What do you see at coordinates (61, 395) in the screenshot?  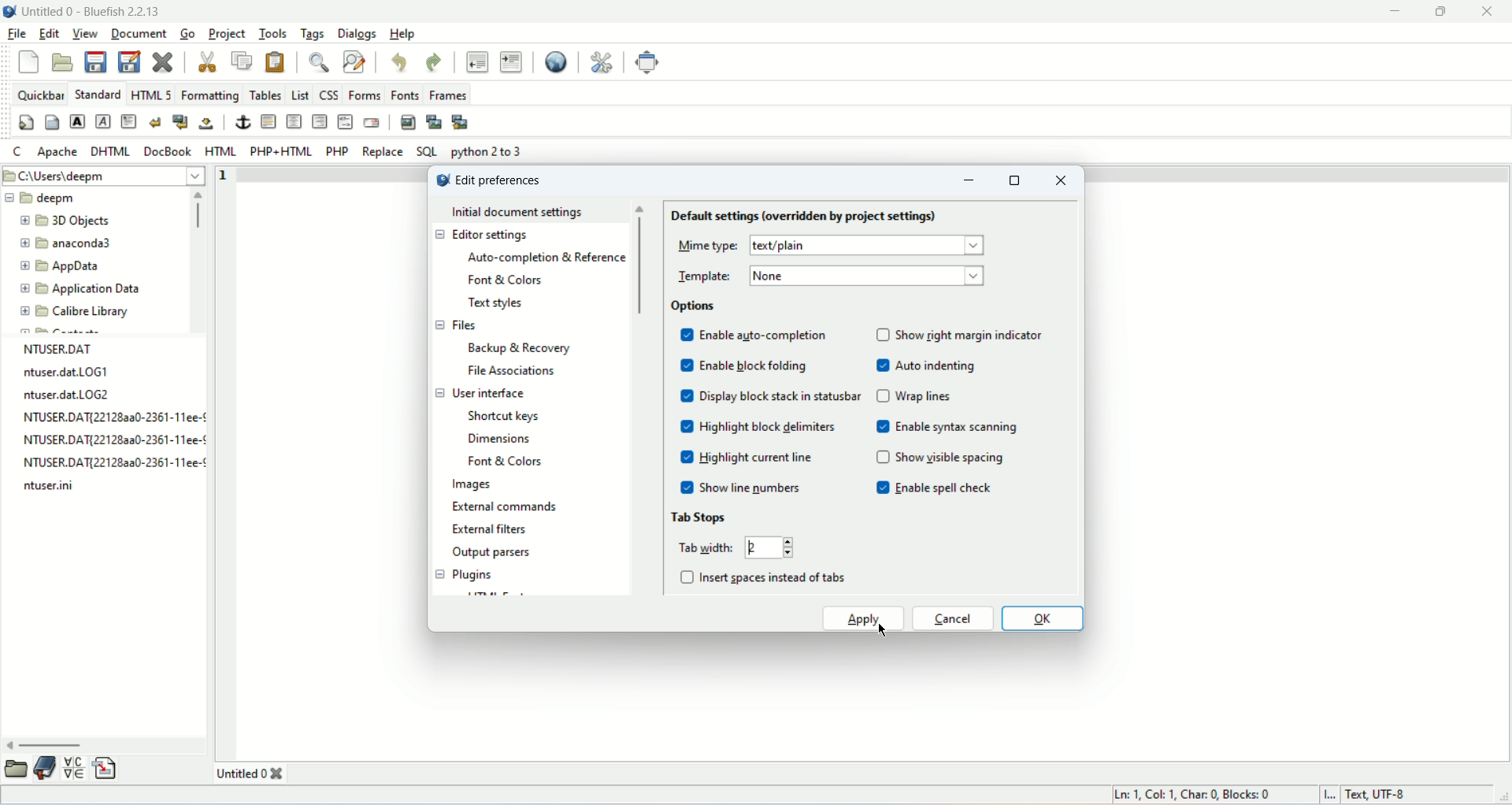 I see `ntuser.dat.LOG2` at bounding box center [61, 395].